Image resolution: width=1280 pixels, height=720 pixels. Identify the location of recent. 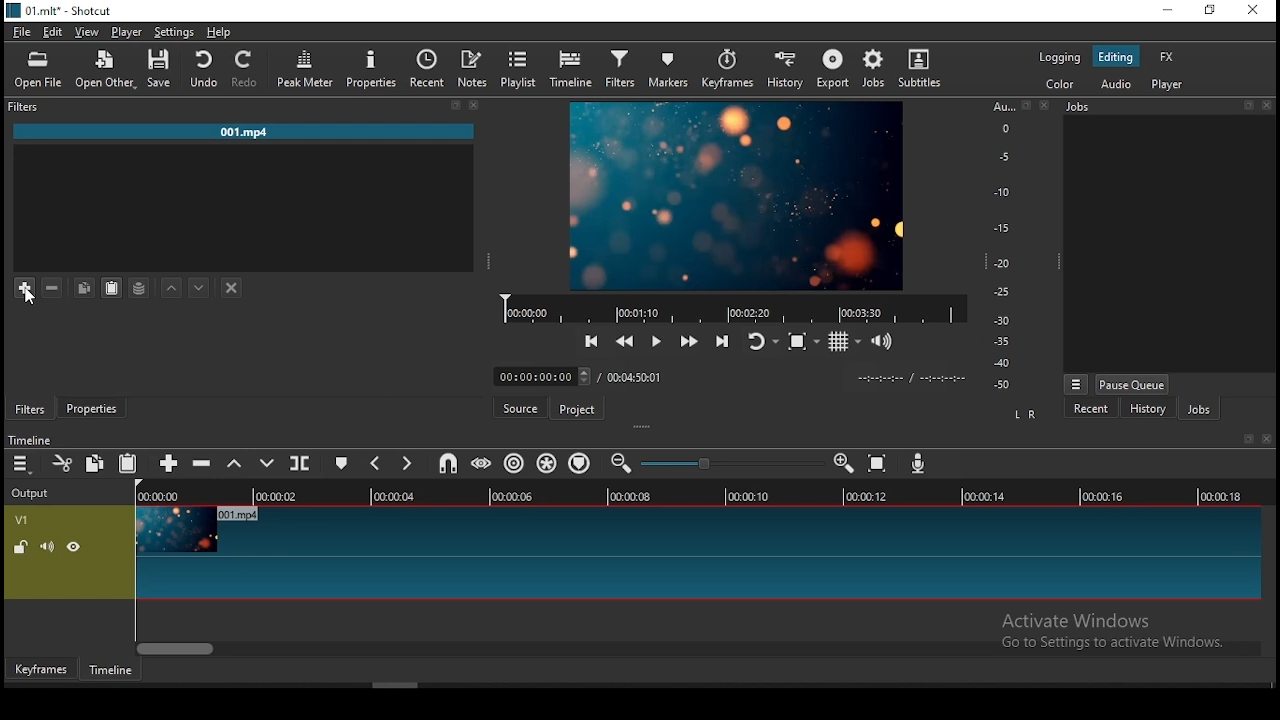
(430, 70).